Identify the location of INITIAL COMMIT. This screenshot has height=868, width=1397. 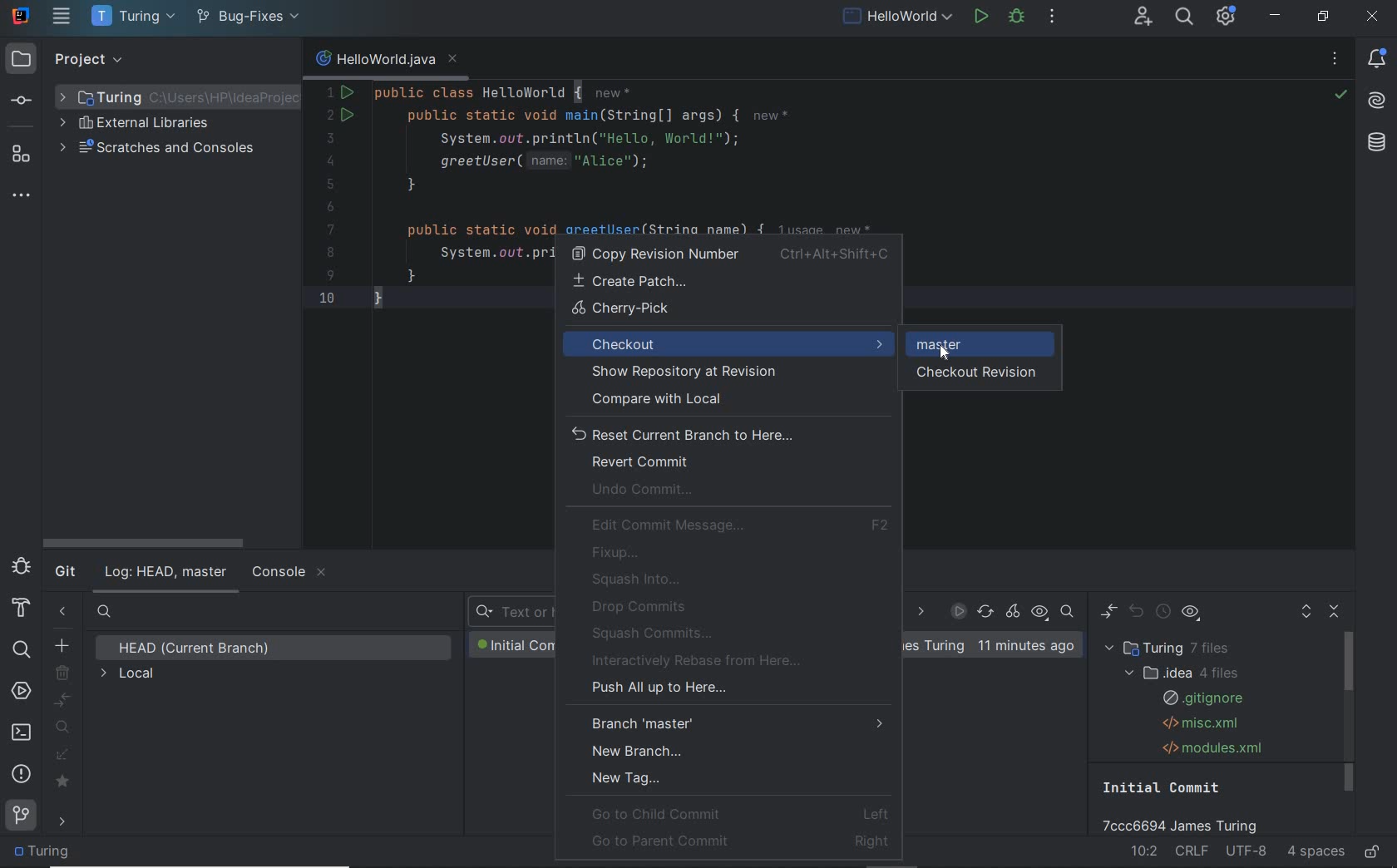
(513, 645).